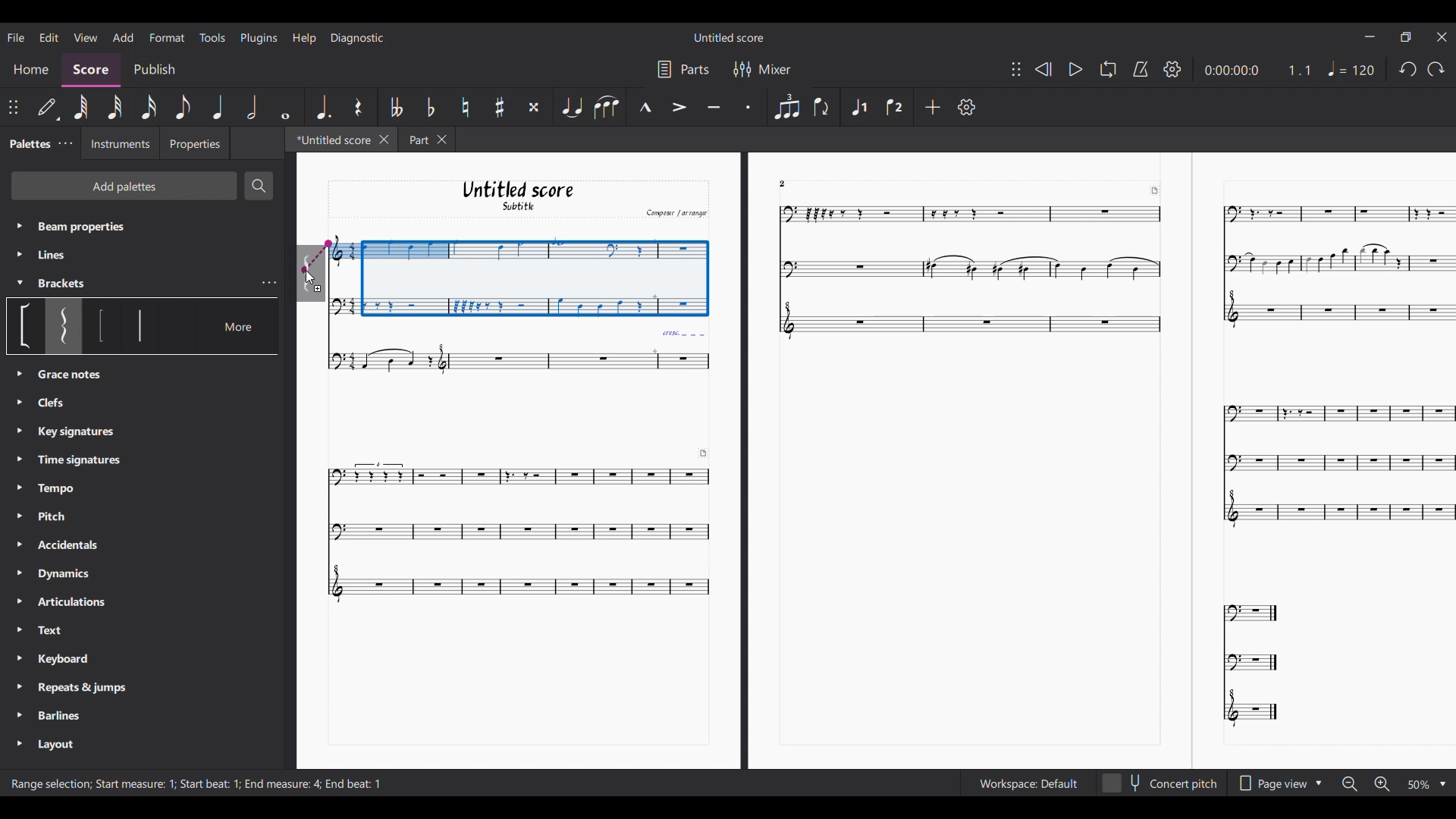 This screenshot has width=1456, height=819. Describe the element at coordinates (303, 39) in the screenshot. I see `Help` at that location.